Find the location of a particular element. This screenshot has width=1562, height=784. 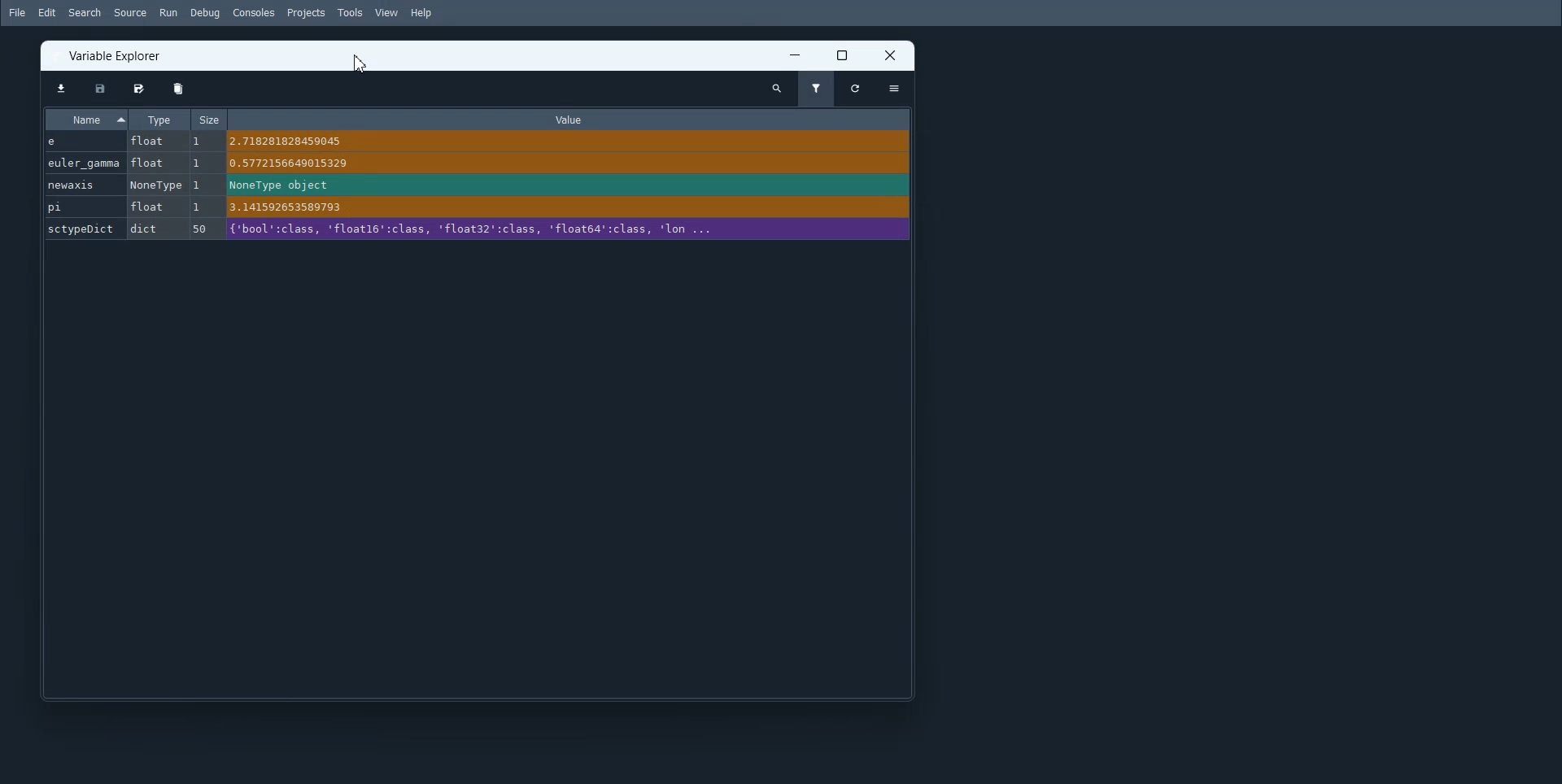

1 is located at coordinates (198, 163).